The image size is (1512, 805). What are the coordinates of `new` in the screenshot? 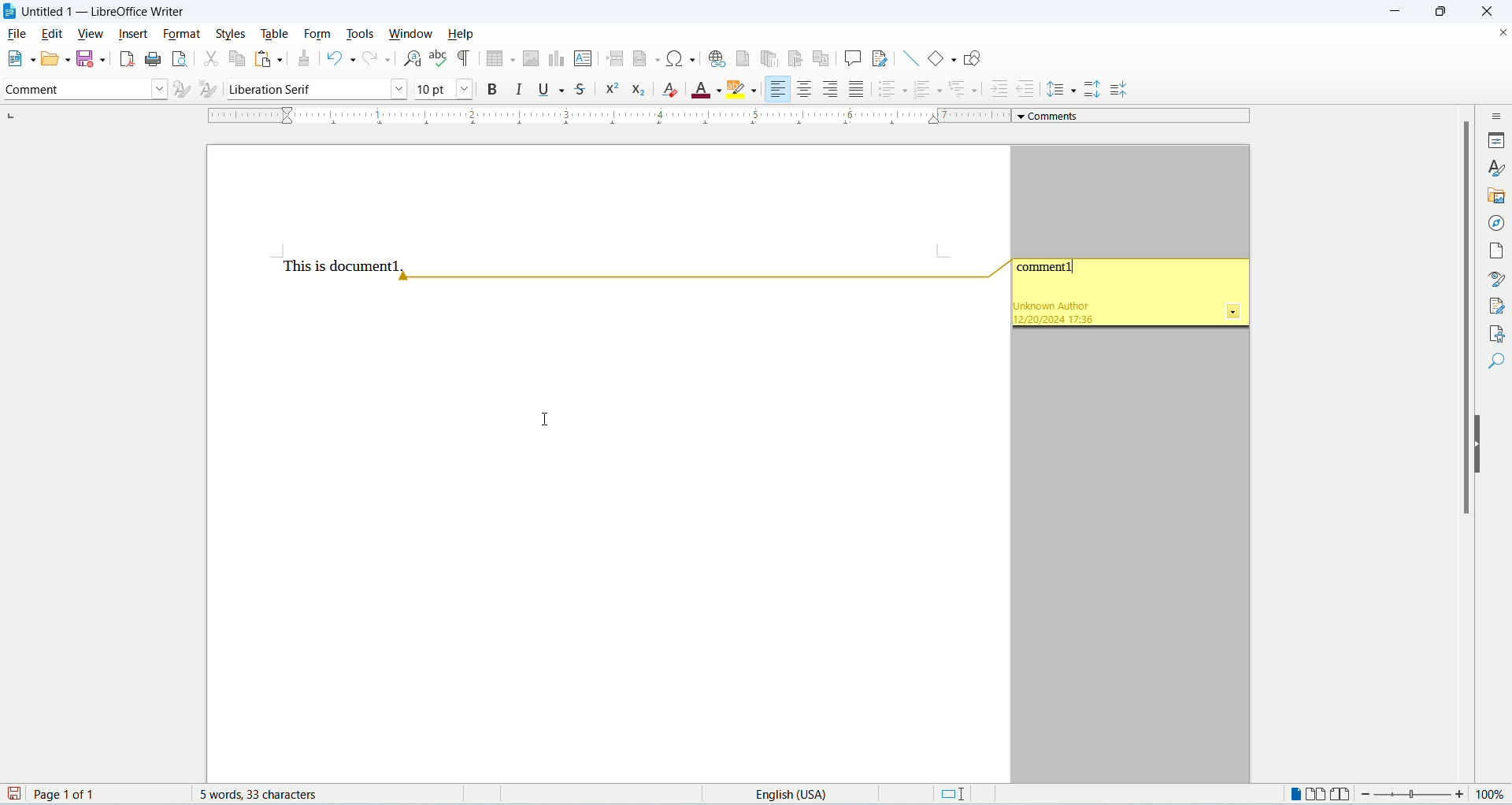 It's located at (19, 57).